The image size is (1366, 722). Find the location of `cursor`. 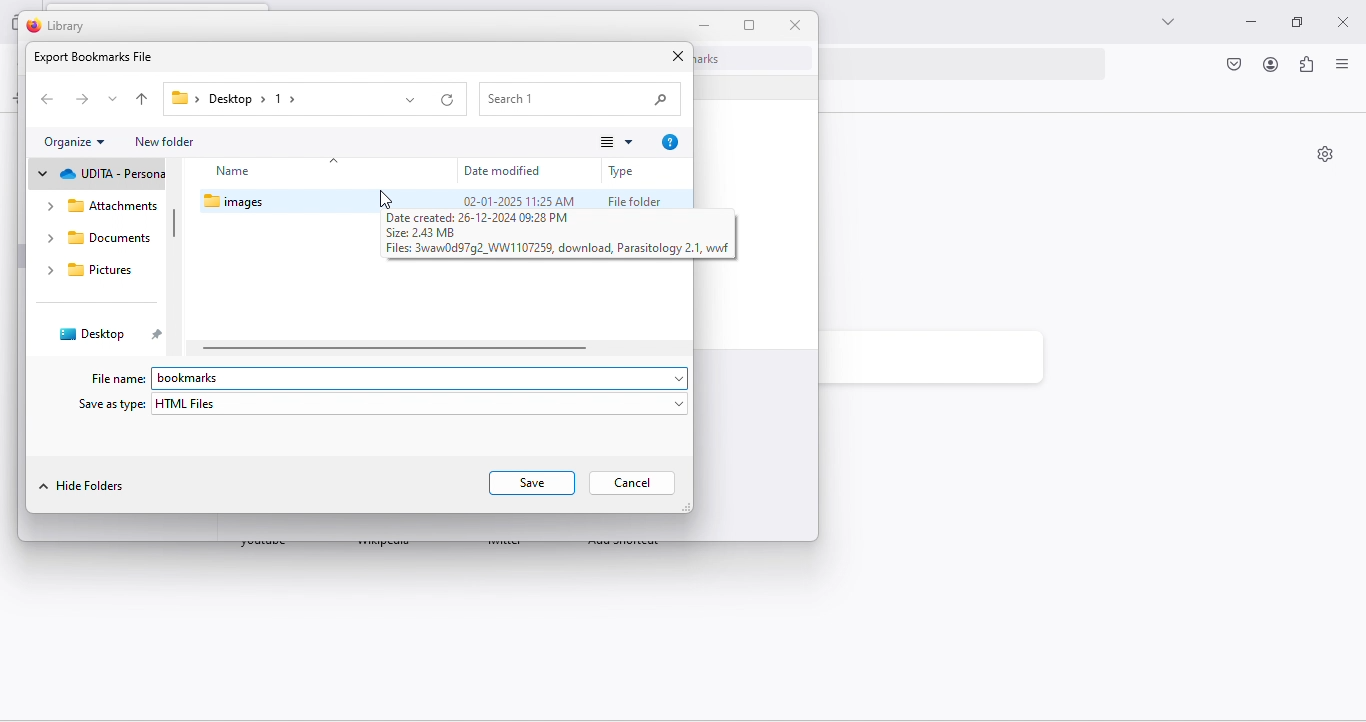

cursor is located at coordinates (384, 199).